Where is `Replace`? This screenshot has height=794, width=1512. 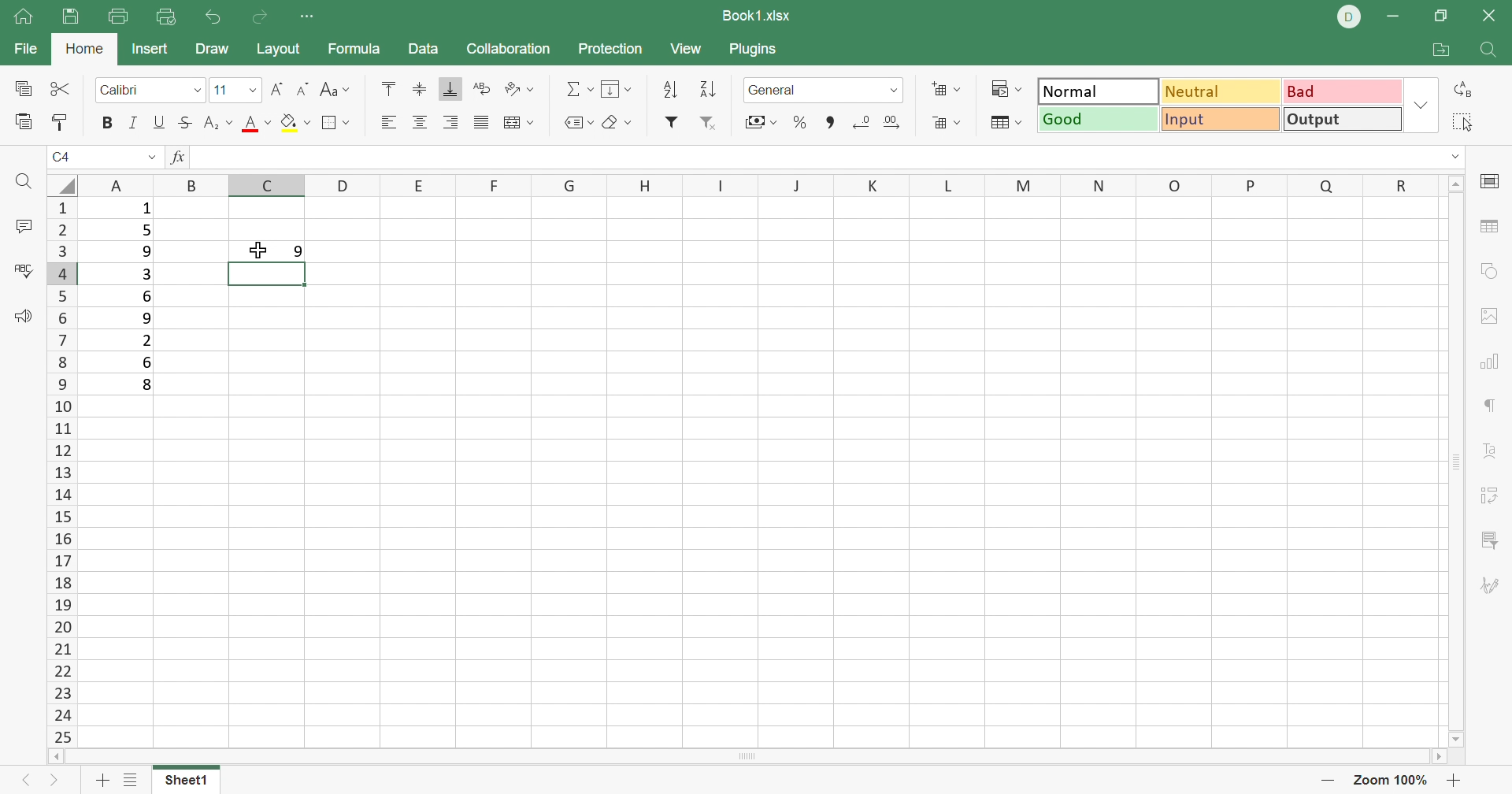 Replace is located at coordinates (1462, 91).